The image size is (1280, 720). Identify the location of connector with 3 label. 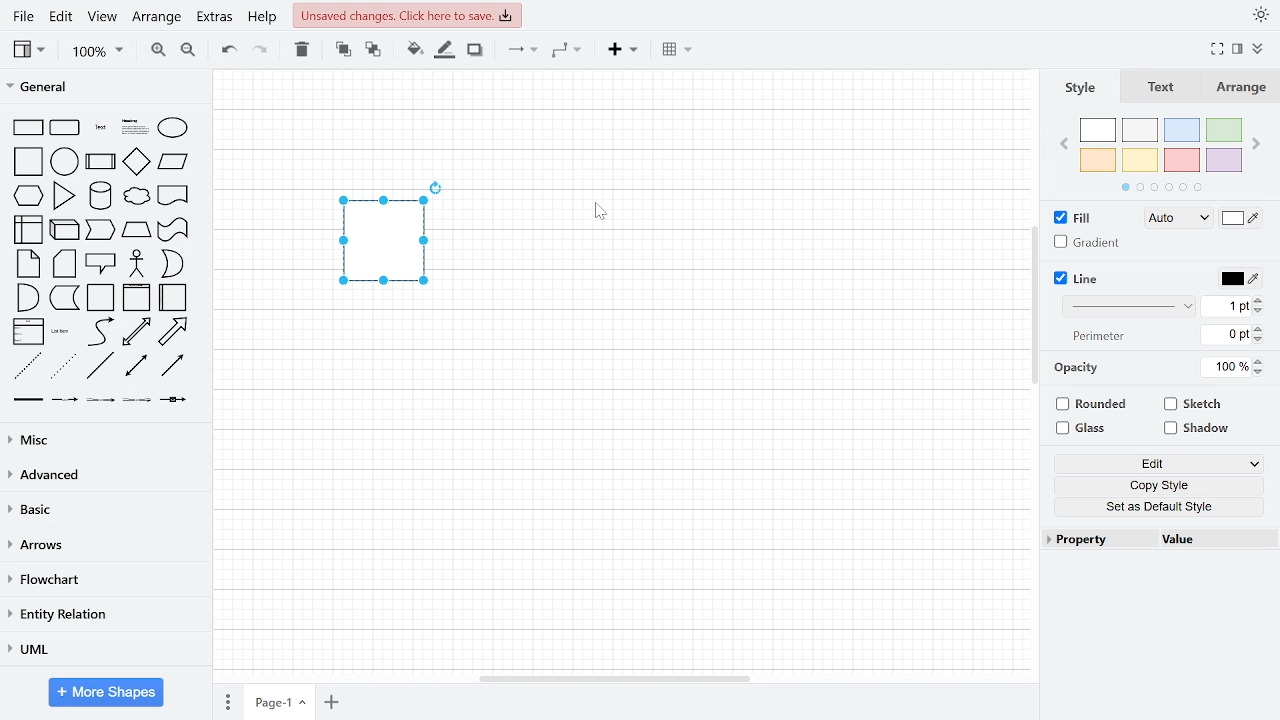
(137, 402).